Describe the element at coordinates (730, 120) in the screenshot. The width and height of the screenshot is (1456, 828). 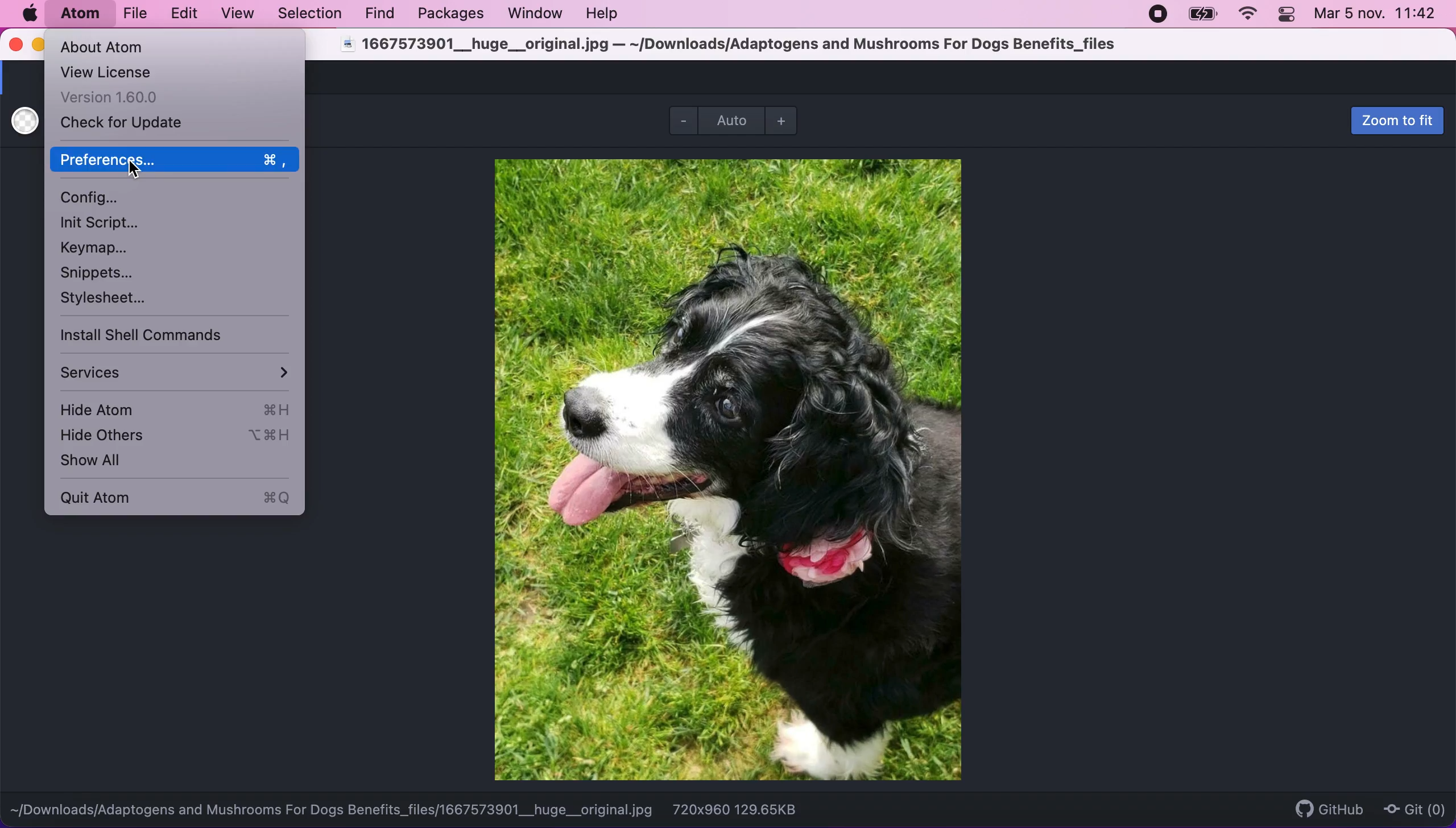
I see `auto` at that location.